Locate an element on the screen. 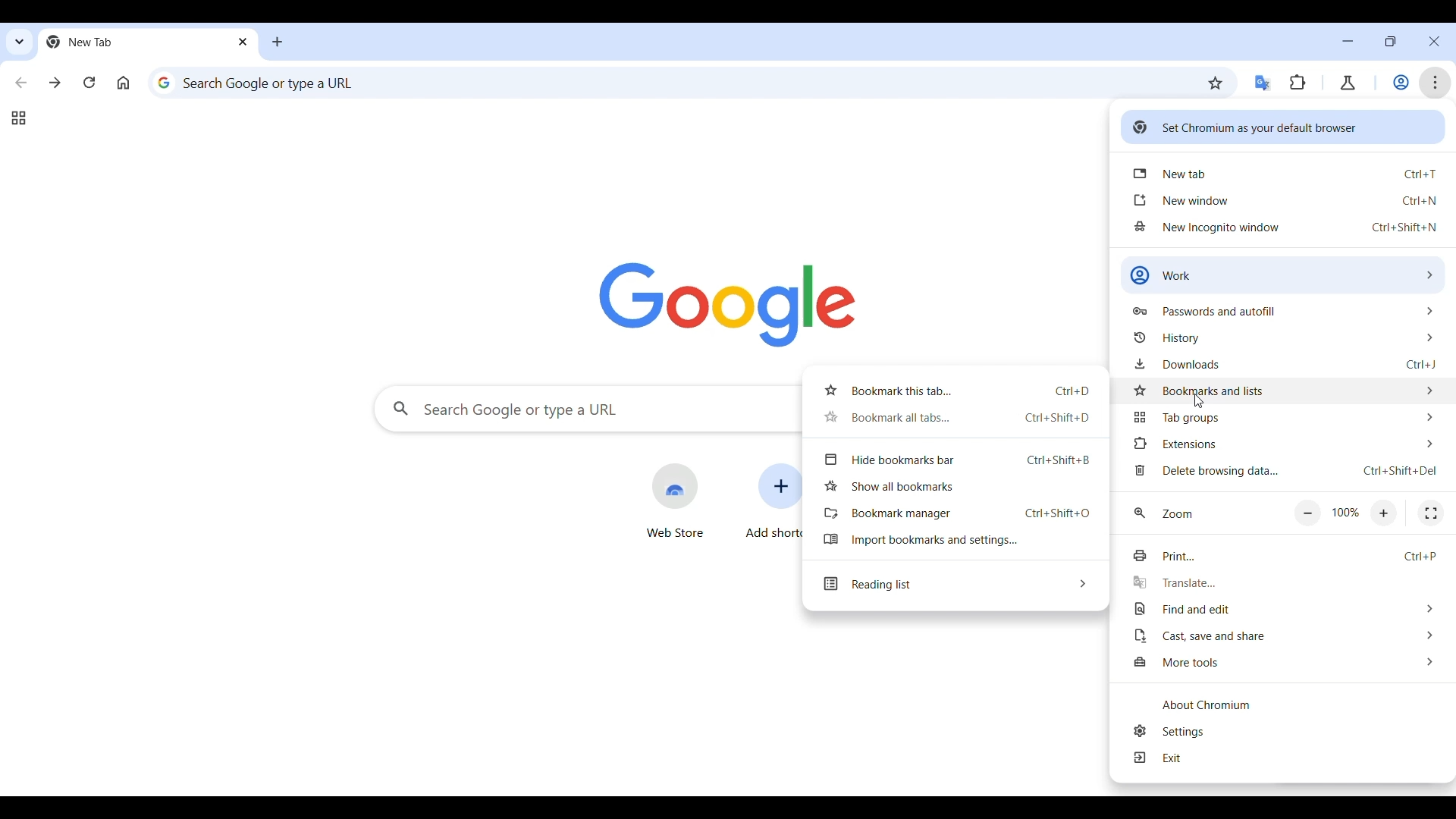 The width and height of the screenshot is (1456, 819). Web store is located at coordinates (675, 501).